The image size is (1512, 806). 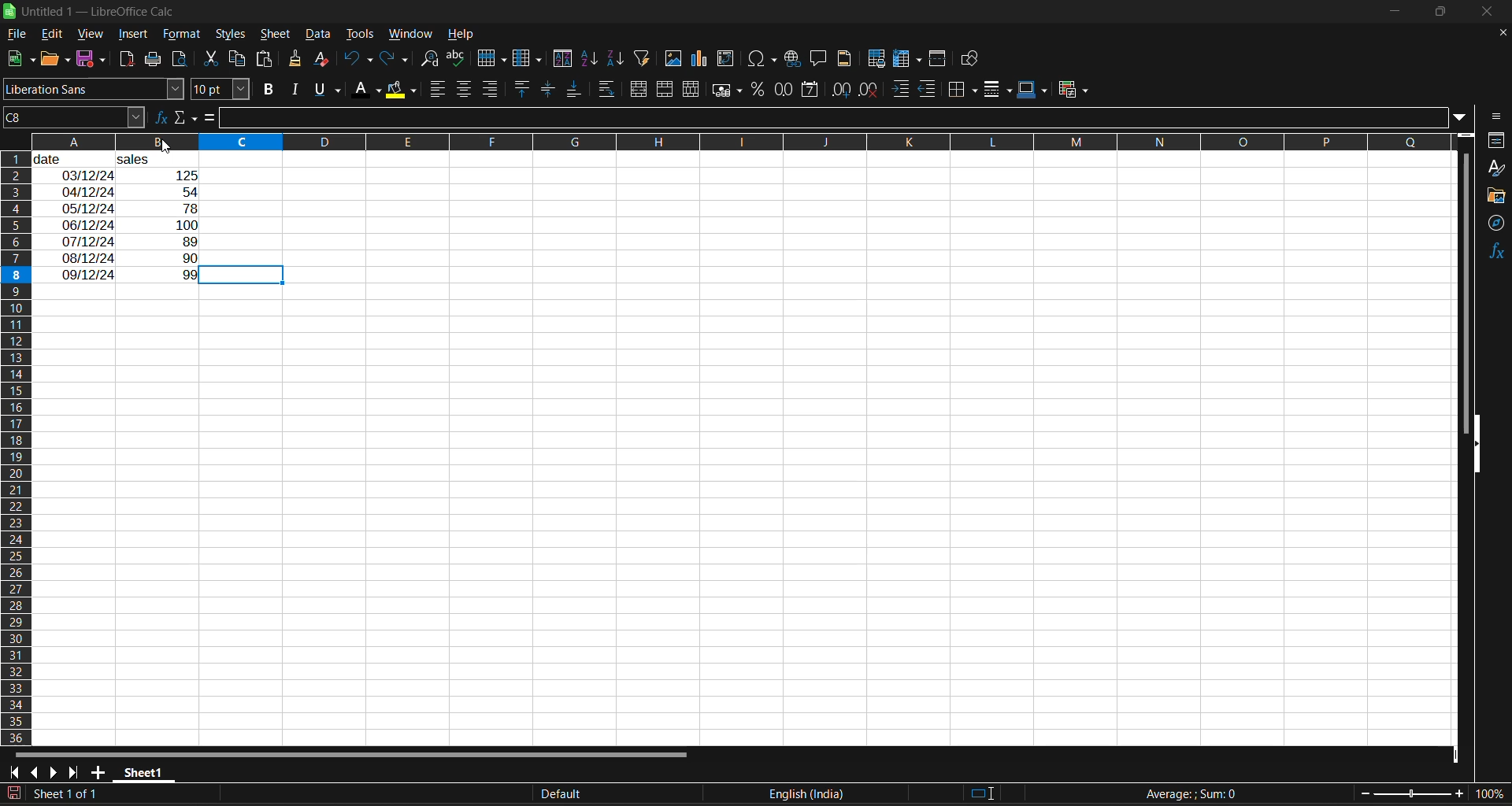 I want to click on function wizard, so click(x=158, y=117).